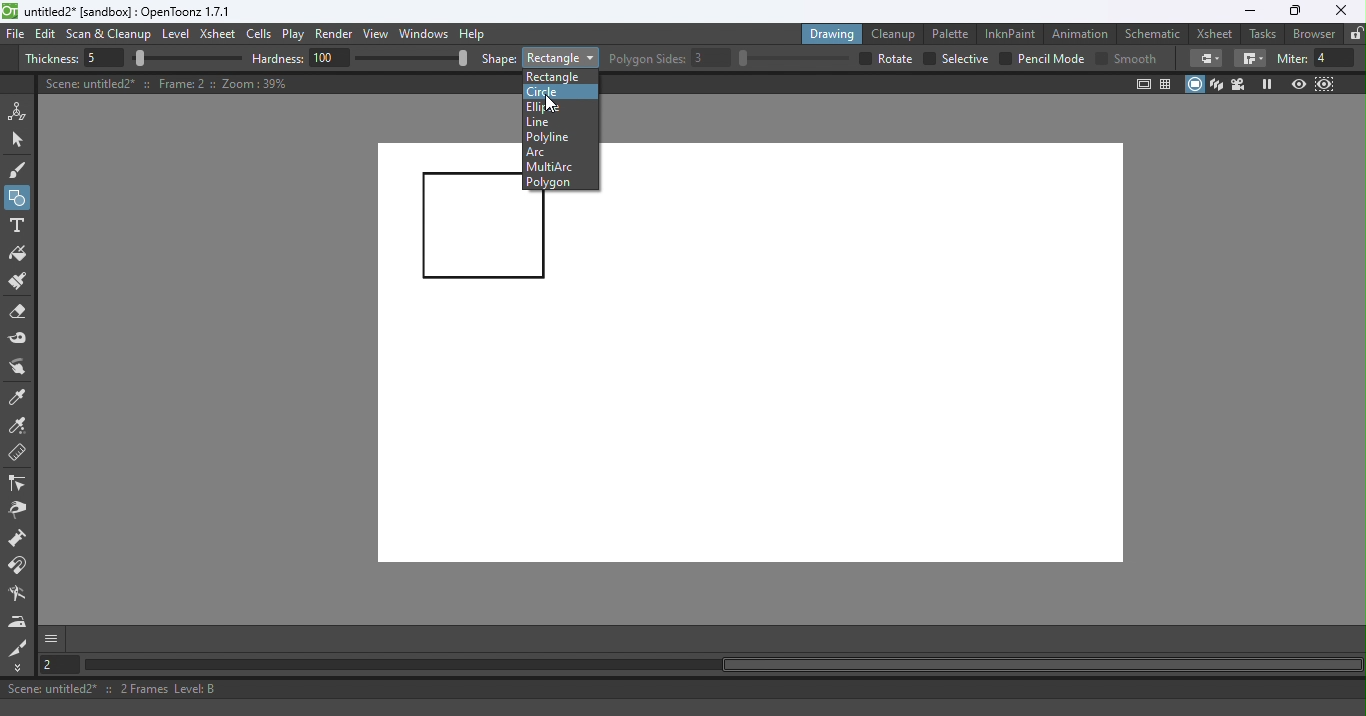 The image size is (1366, 716). What do you see at coordinates (176, 35) in the screenshot?
I see `Level` at bounding box center [176, 35].